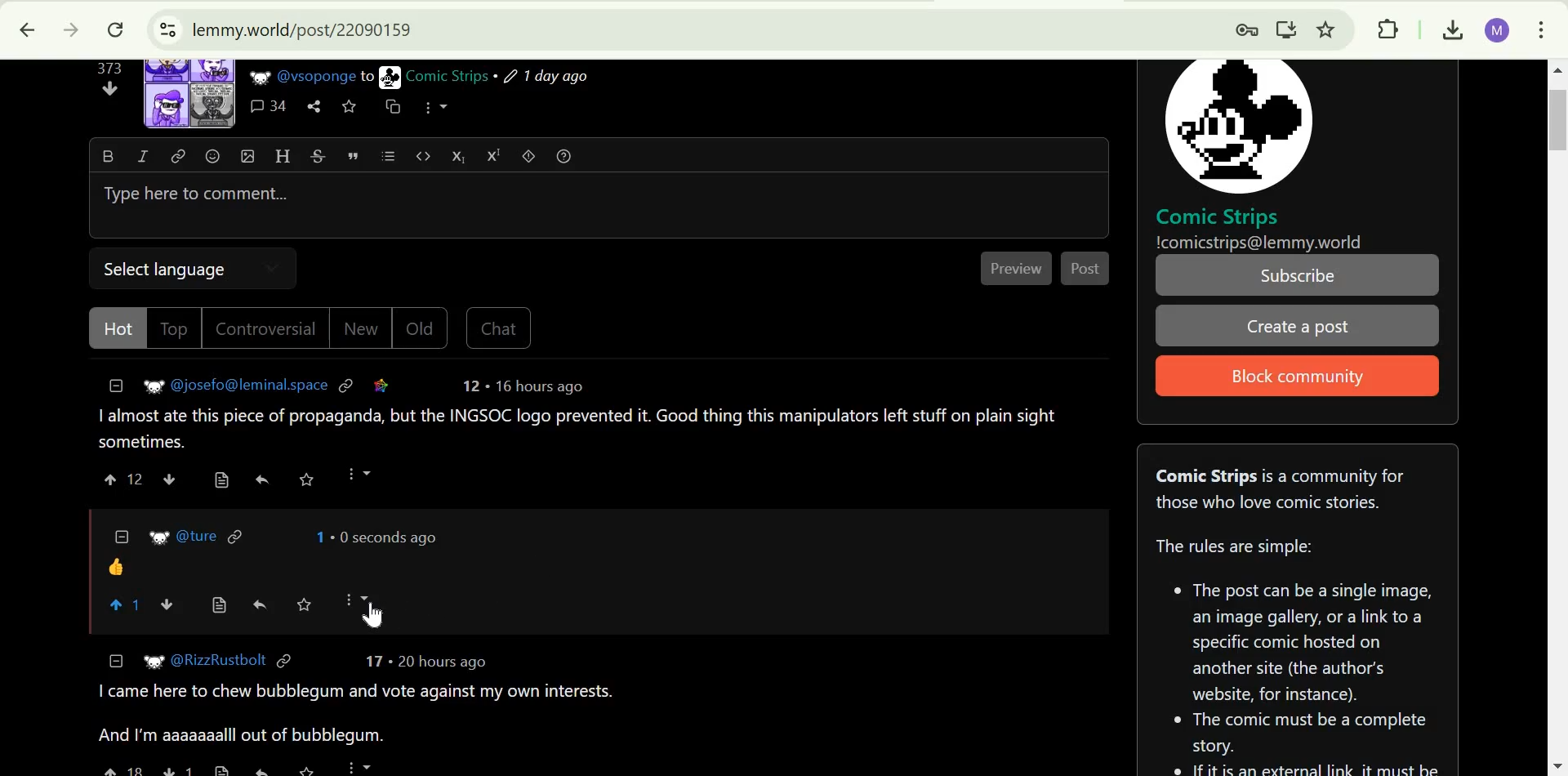 The height and width of the screenshot is (776, 1568). What do you see at coordinates (546, 77) in the screenshot?
I see `1 day ago` at bounding box center [546, 77].